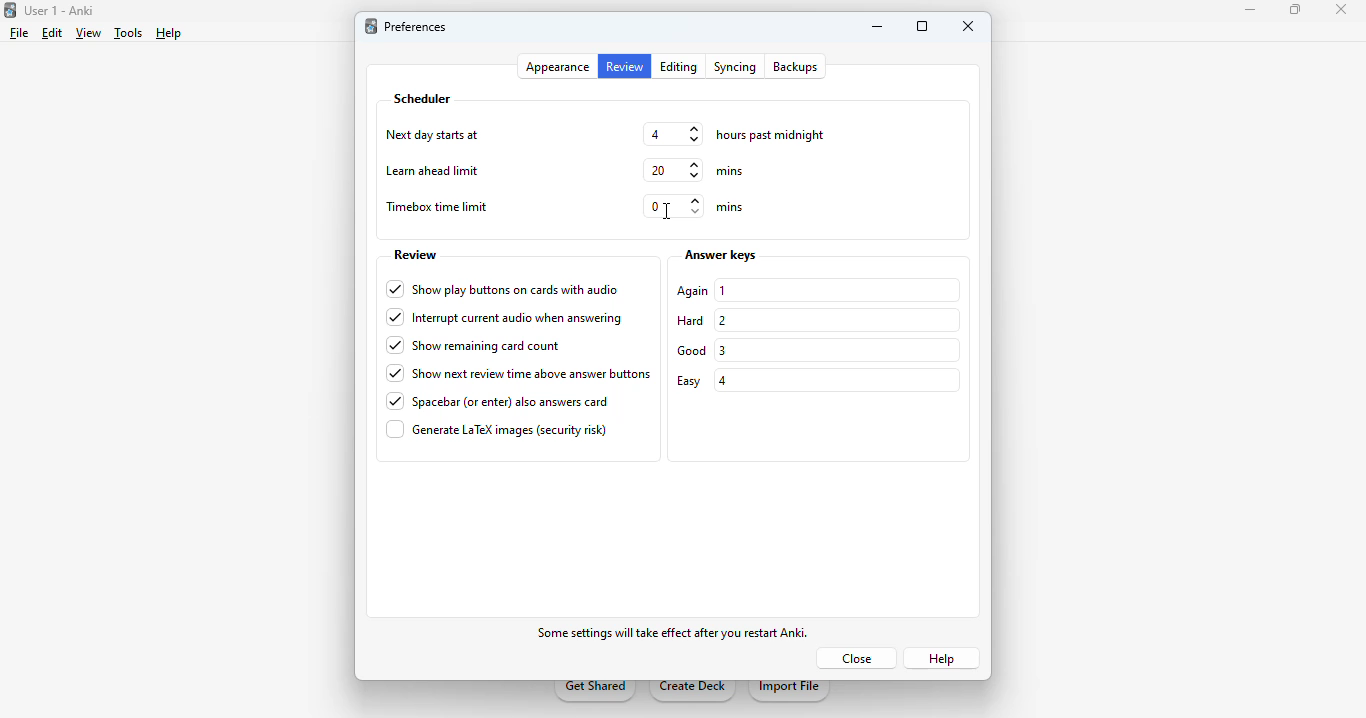 This screenshot has width=1366, height=718. Describe the element at coordinates (497, 429) in the screenshot. I see `generate LaTex images (security risk)` at that location.